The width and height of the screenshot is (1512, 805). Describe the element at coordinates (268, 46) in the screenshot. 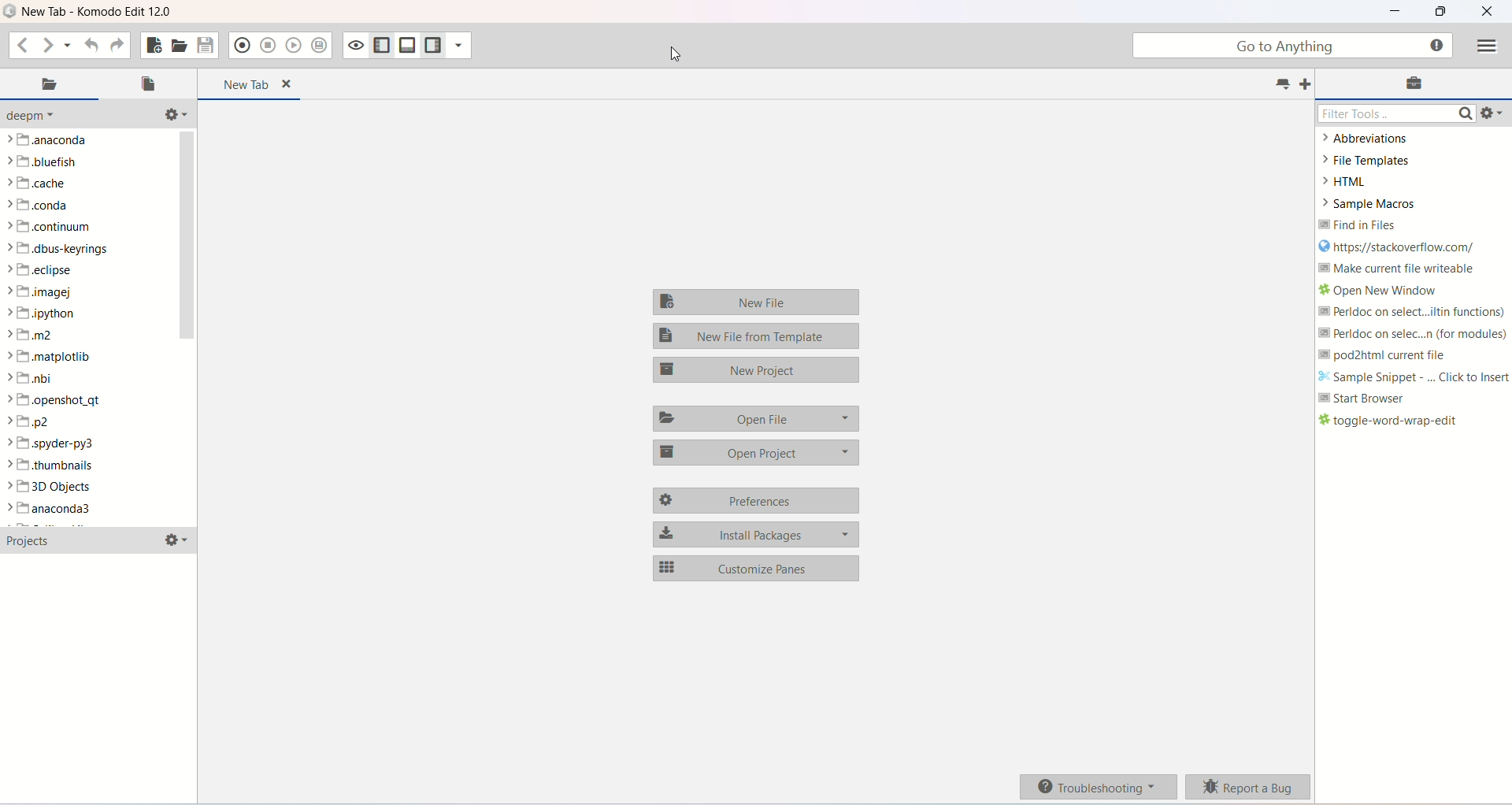

I see `stop recording macro` at that location.